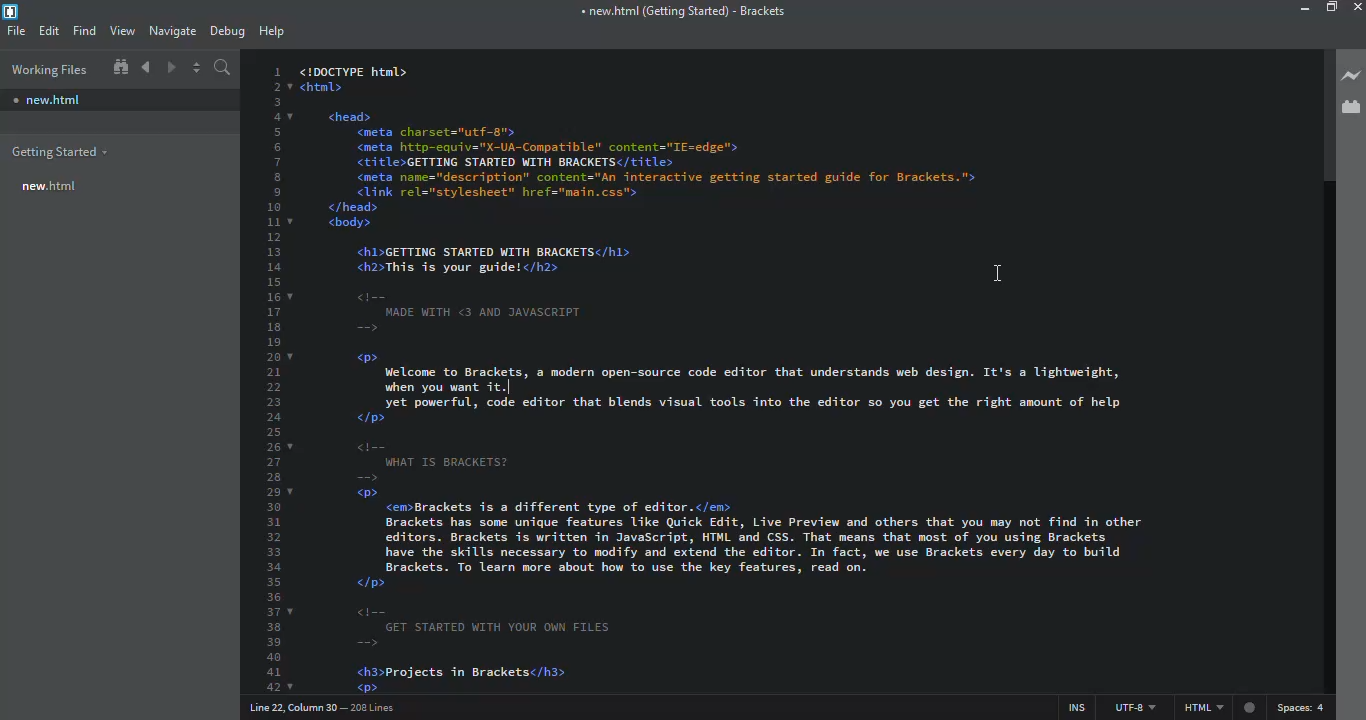 The image size is (1366, 720). What do you see at coordinates (17, 29) in the screenshot?
I see `file` at bounding box center [17, 29].